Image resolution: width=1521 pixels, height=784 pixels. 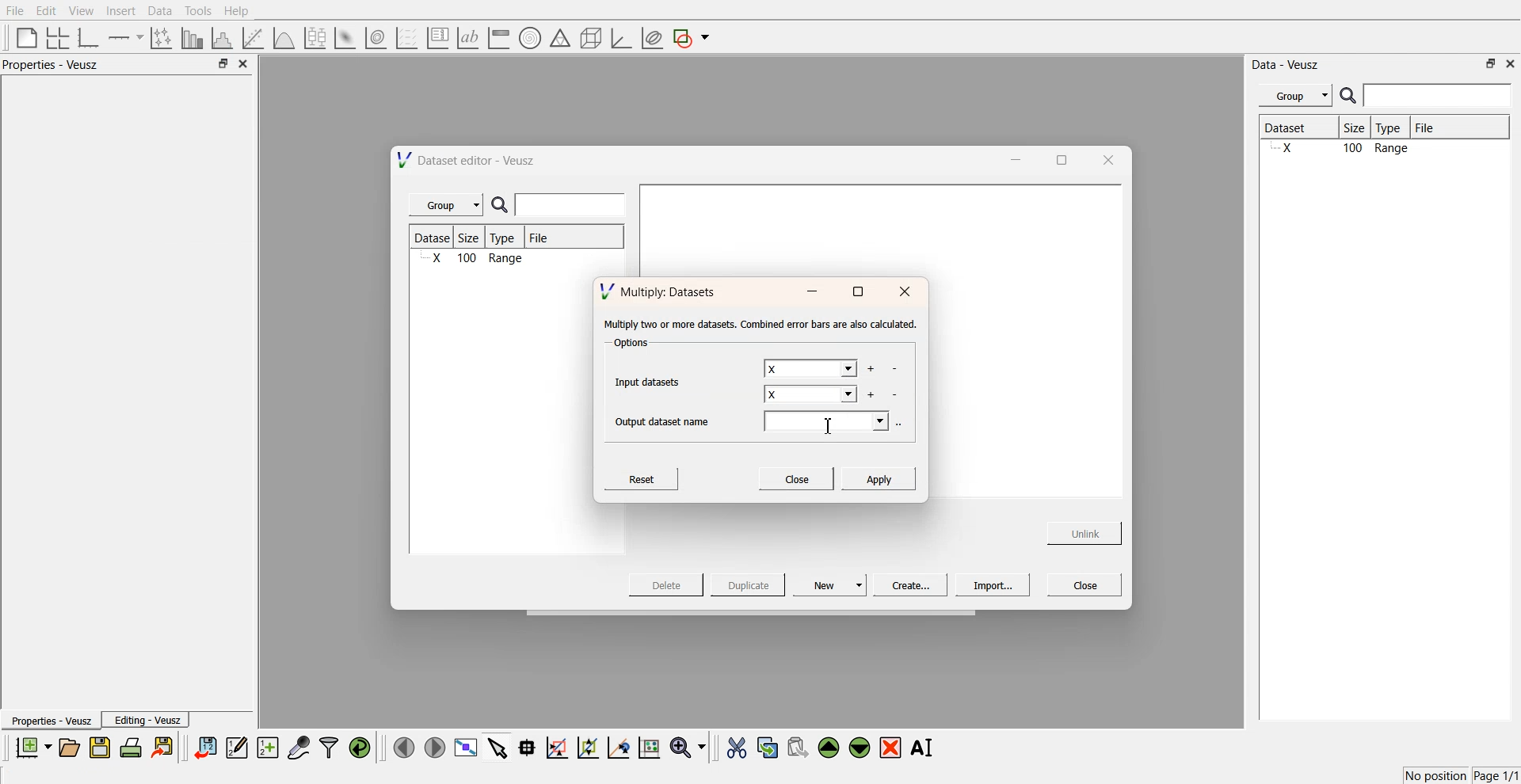 What do you see at coordinates (830, 427) in the screenshot?
I see `cursor` at bounding box center [830, 427].